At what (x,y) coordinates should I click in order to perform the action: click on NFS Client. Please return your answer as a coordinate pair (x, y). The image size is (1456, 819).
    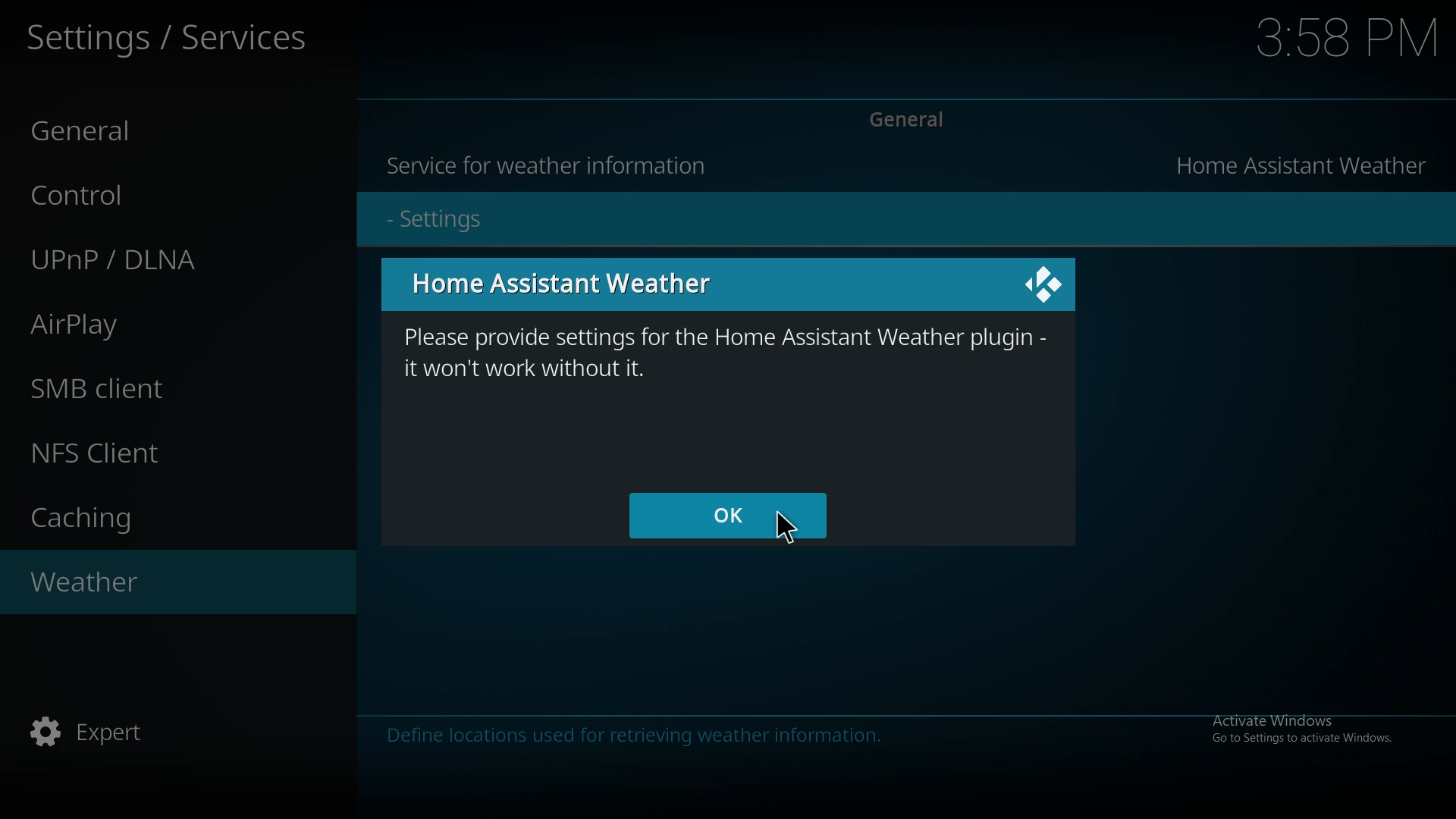
    Looking at the image, I should click on (106, 457).